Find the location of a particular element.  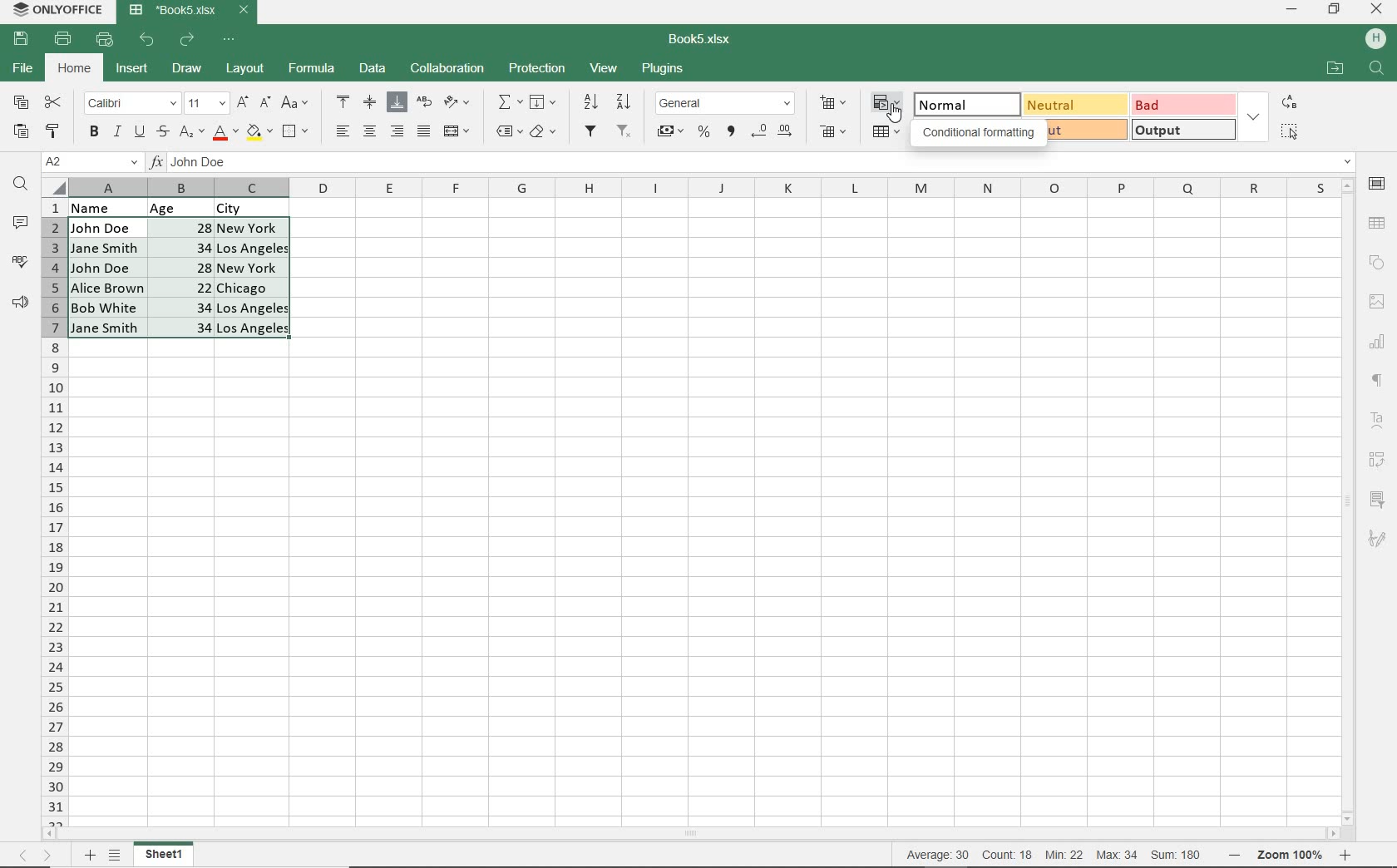

count is located at coordinates (1006, 855).